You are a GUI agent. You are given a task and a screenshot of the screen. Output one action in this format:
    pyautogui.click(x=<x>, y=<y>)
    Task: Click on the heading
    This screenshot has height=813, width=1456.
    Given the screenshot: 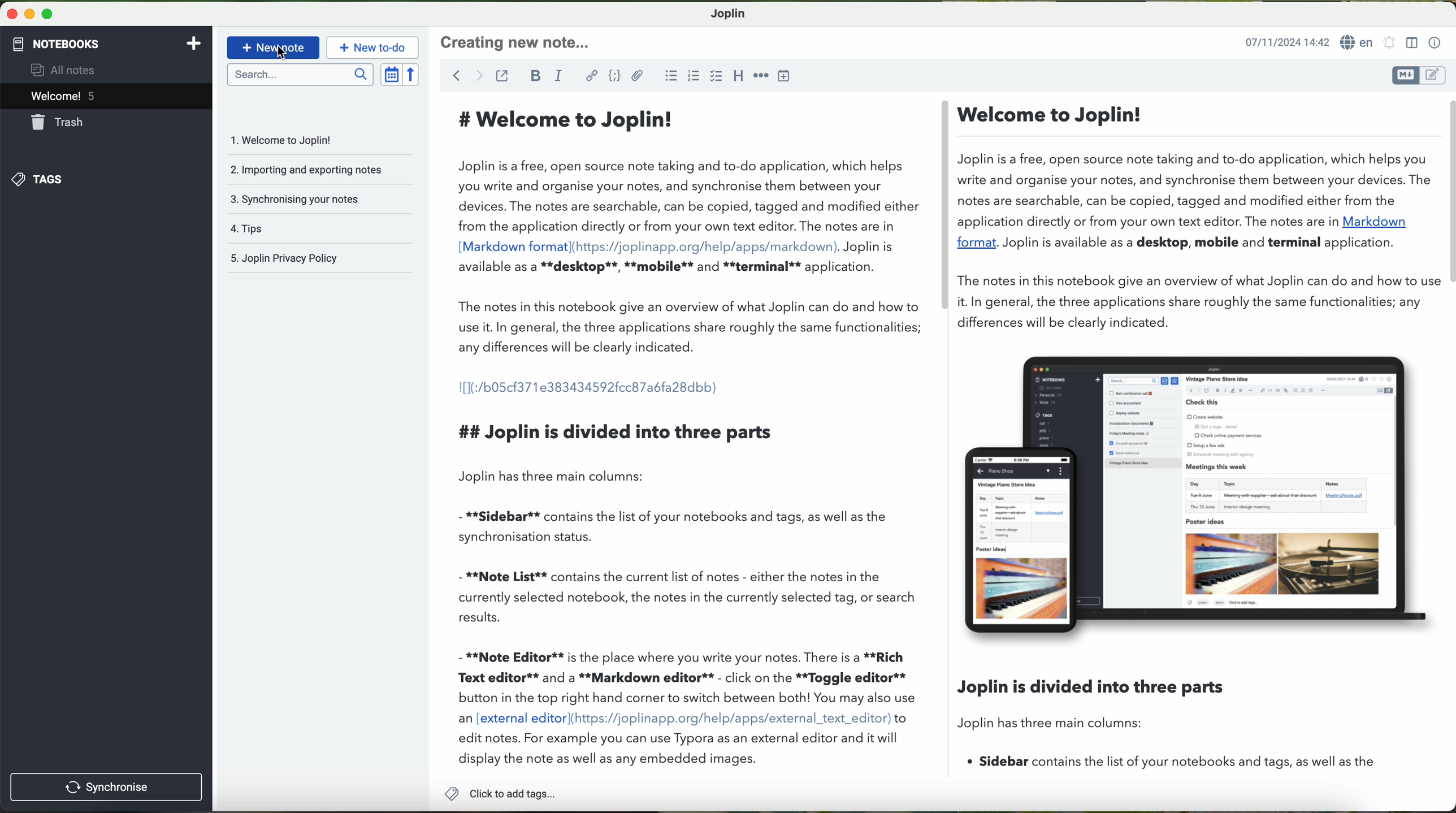 What is the action you would take?
    pyautogui.click(x=740, y=77)
    